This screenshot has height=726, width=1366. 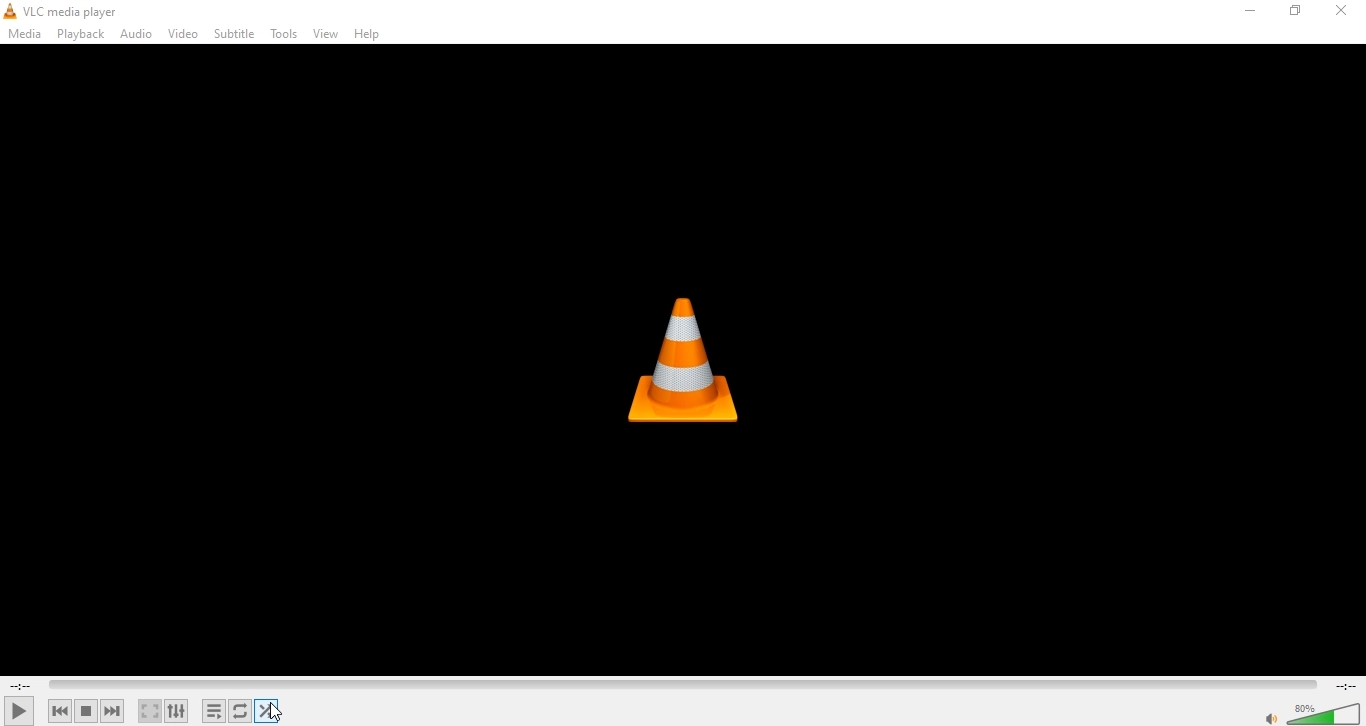 I want to click on view, so click(x=328, y=34).